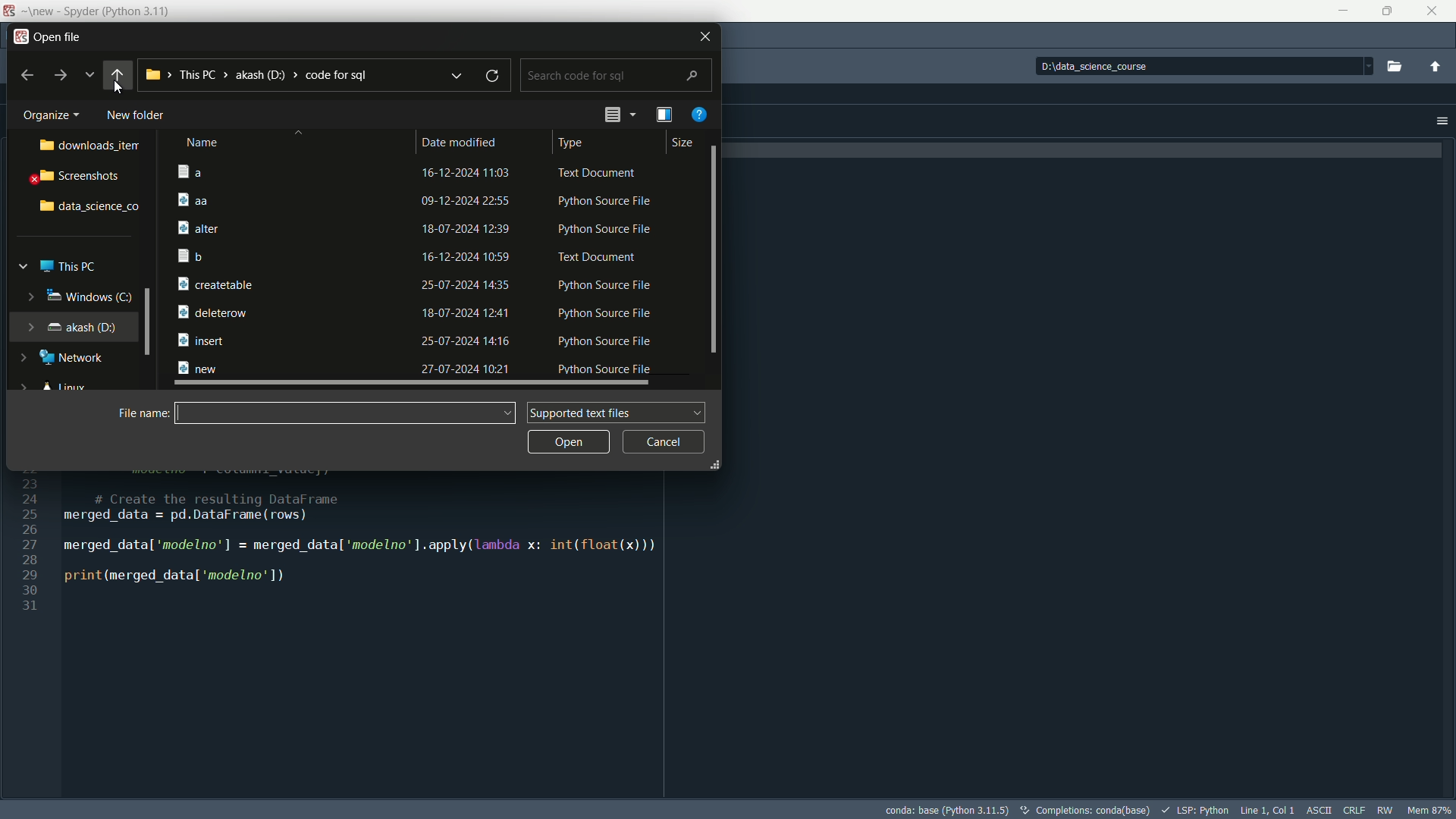  What do you see at coordinates (217, 284) in the screenshot?
I see `createtable` at bounding box center [217, 284].